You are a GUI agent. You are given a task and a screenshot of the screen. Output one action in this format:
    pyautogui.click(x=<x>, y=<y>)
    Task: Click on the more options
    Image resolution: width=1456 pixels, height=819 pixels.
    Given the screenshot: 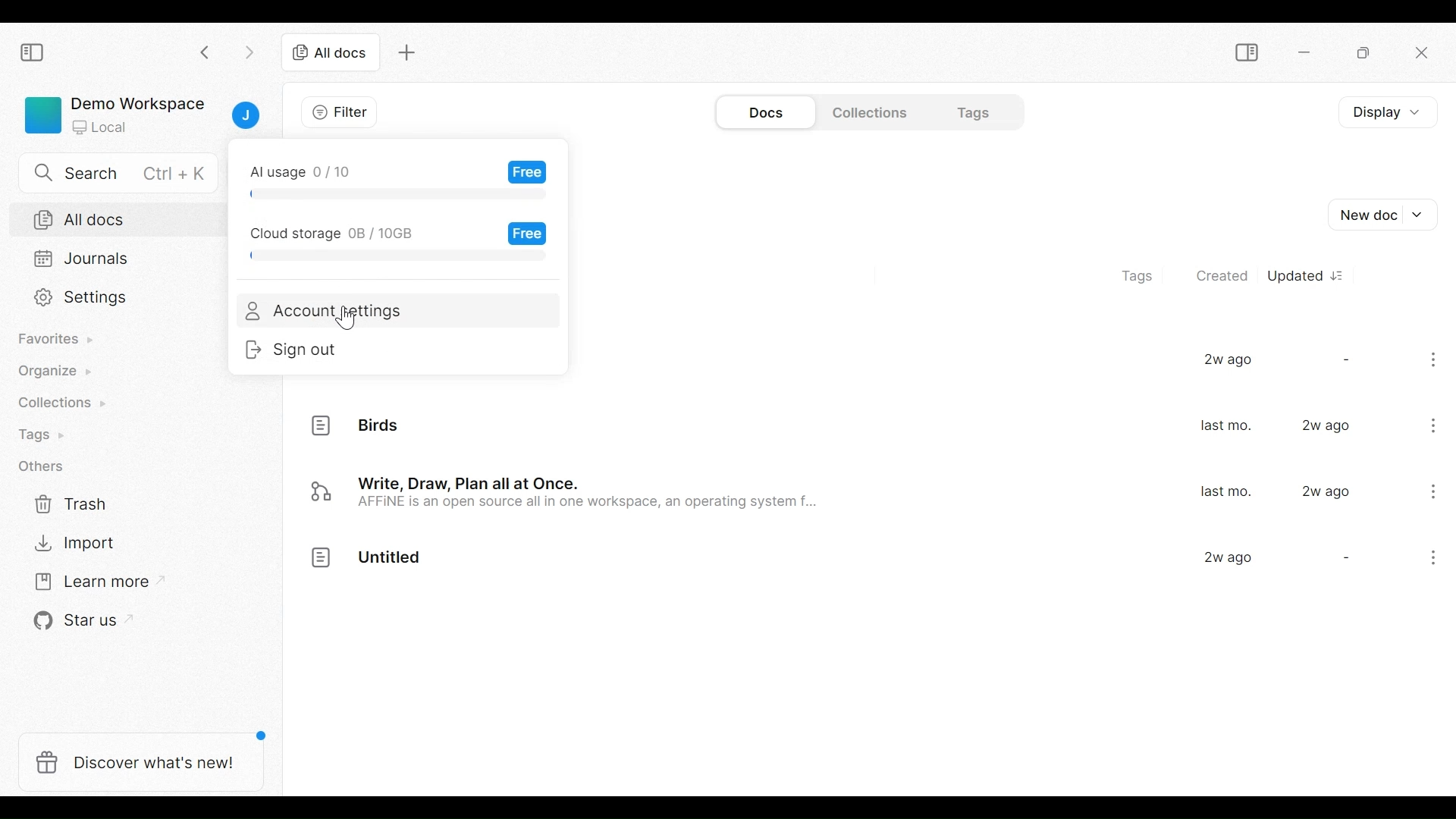 What is the action you would take?
    pyautogui.click(x=1431, y=491)
    